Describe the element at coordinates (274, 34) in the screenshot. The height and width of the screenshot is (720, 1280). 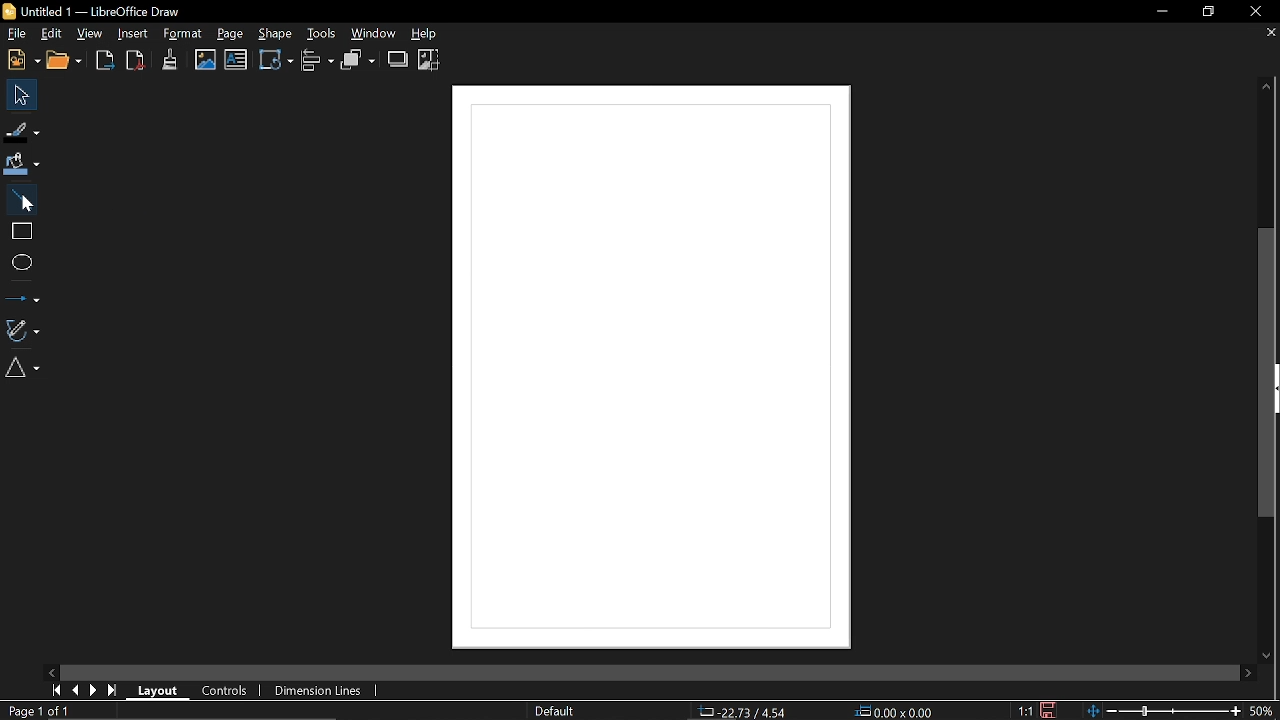
I see `Shape` at that location.